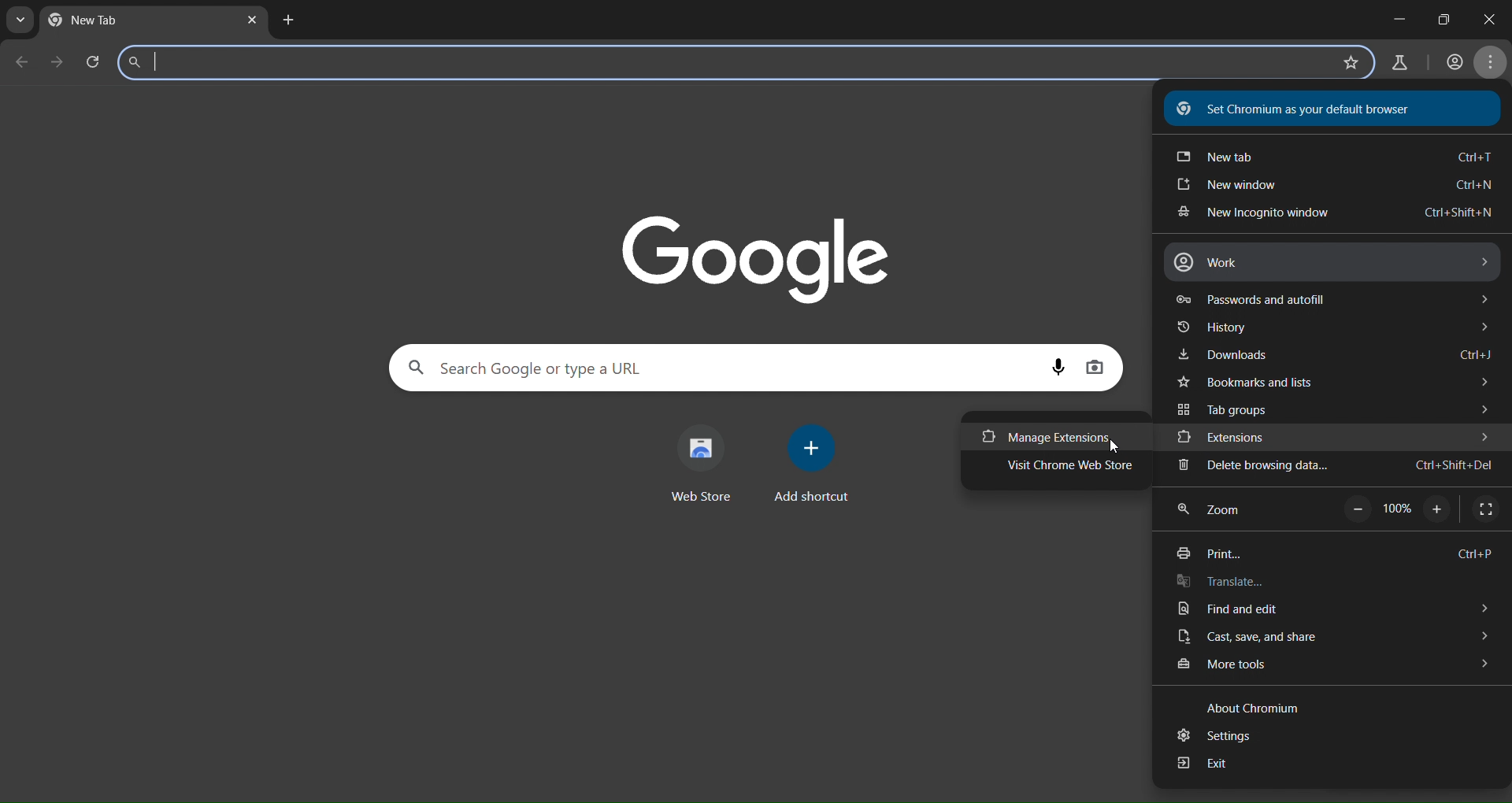  What do you see at coordinates (1313, 111) in the screenshot?
I see `Set Chromium as your default browser` at bounding box center [1313, 111].